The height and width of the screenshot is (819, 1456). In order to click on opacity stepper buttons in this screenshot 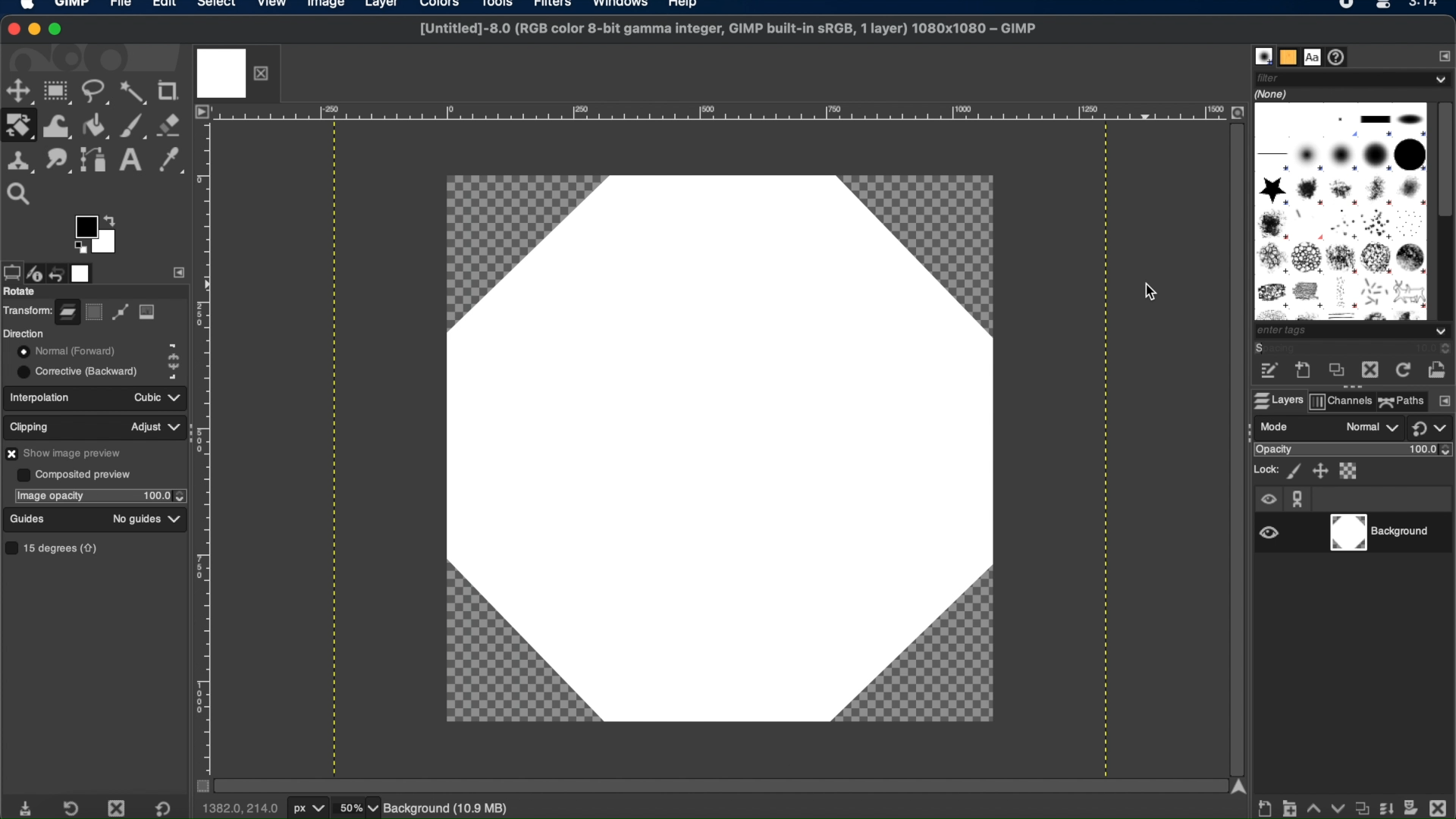, I will do `click(165, 495)`.